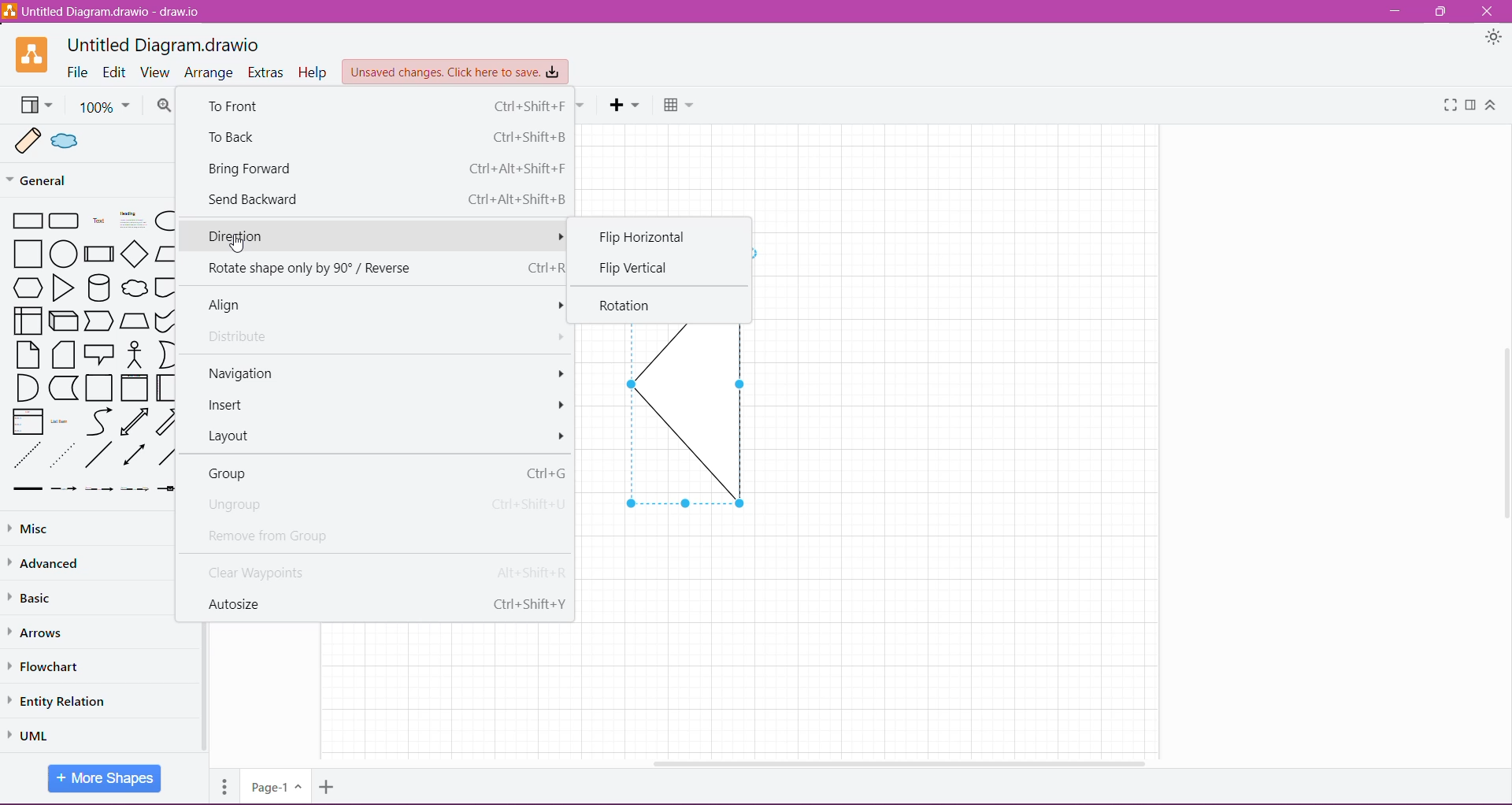 Image resolution: width=1512 pixels, height=805 pixels. What do you see at coordinates (104, 11) in the screenshot?
I see `Untitled Diagram.draw.io - draw.io` at bounding box center [104, 11].